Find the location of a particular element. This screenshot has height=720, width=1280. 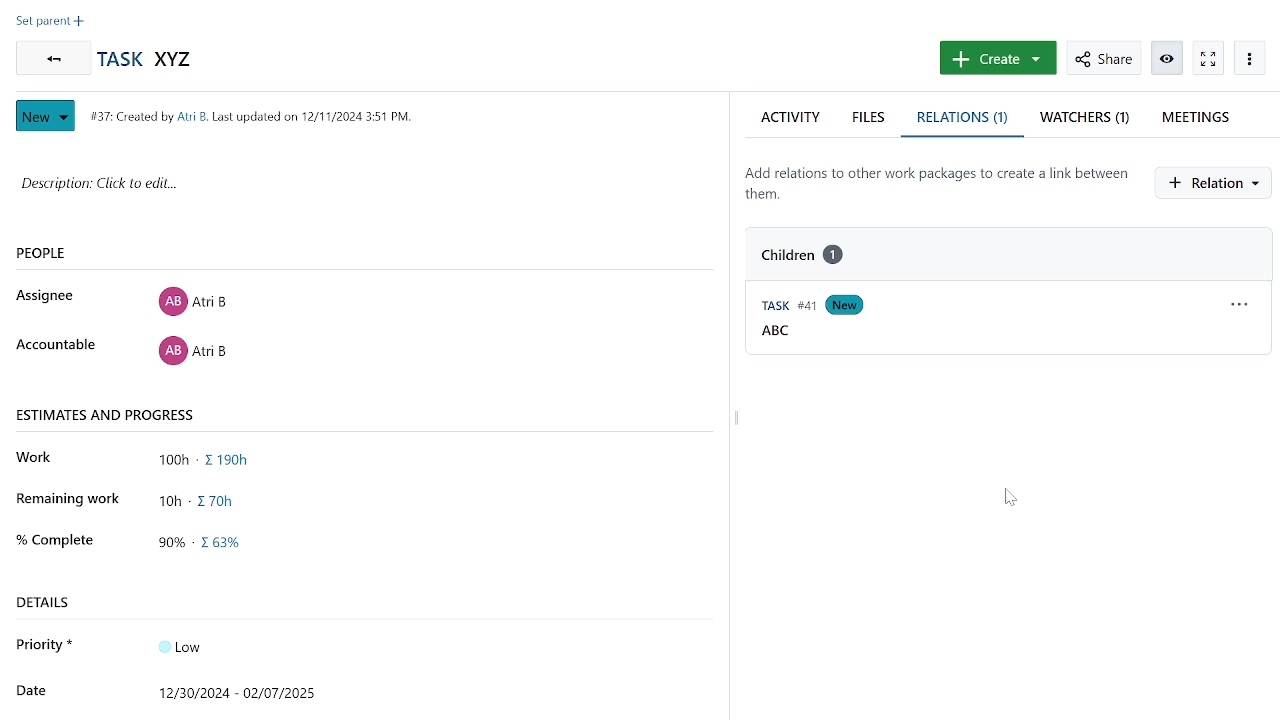

activate zen mode is located at coordinates (1169, 57).